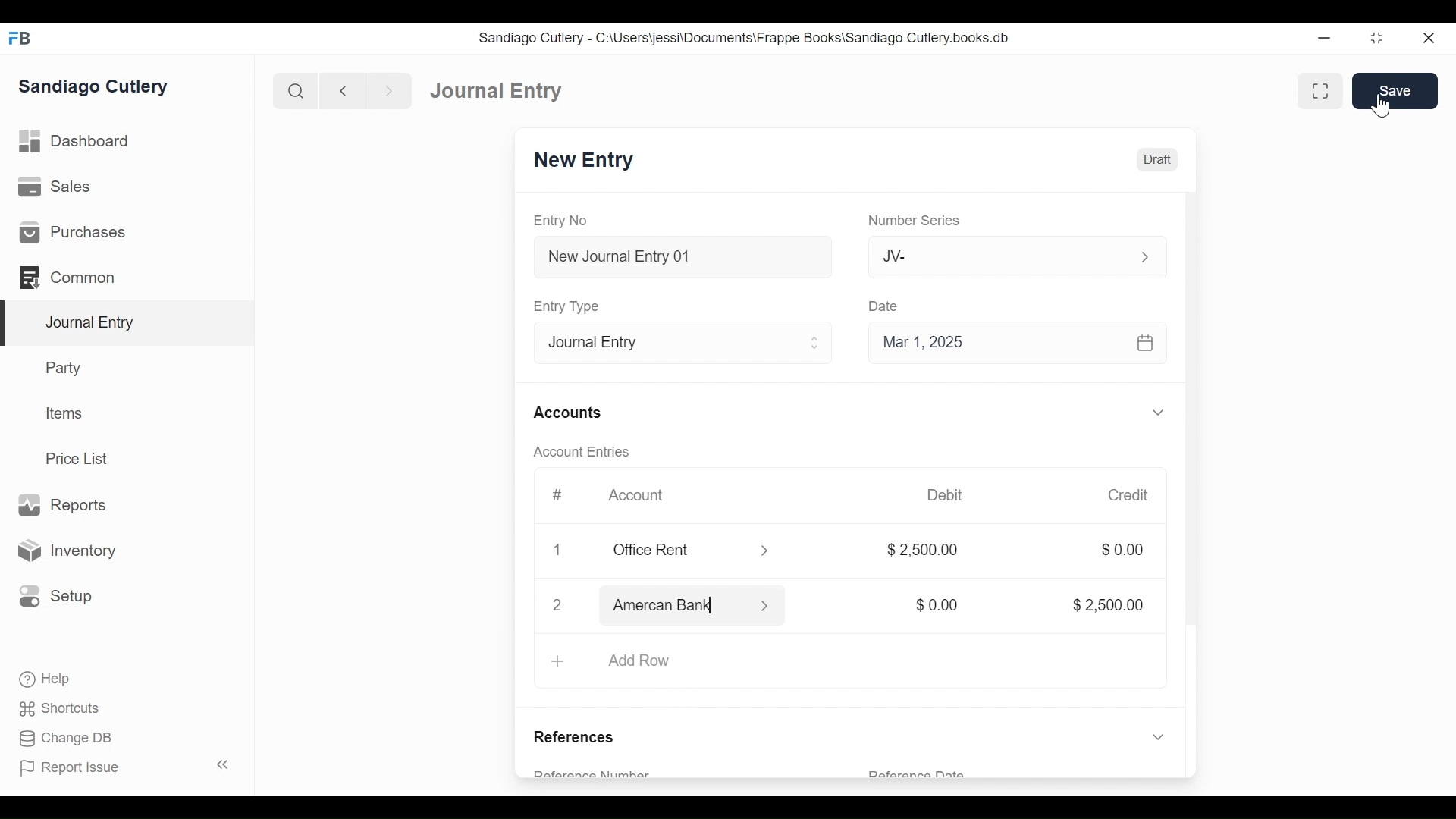 This screenshot has width=1456, height=819. I want to click on Report Issue, so click(76, 769).